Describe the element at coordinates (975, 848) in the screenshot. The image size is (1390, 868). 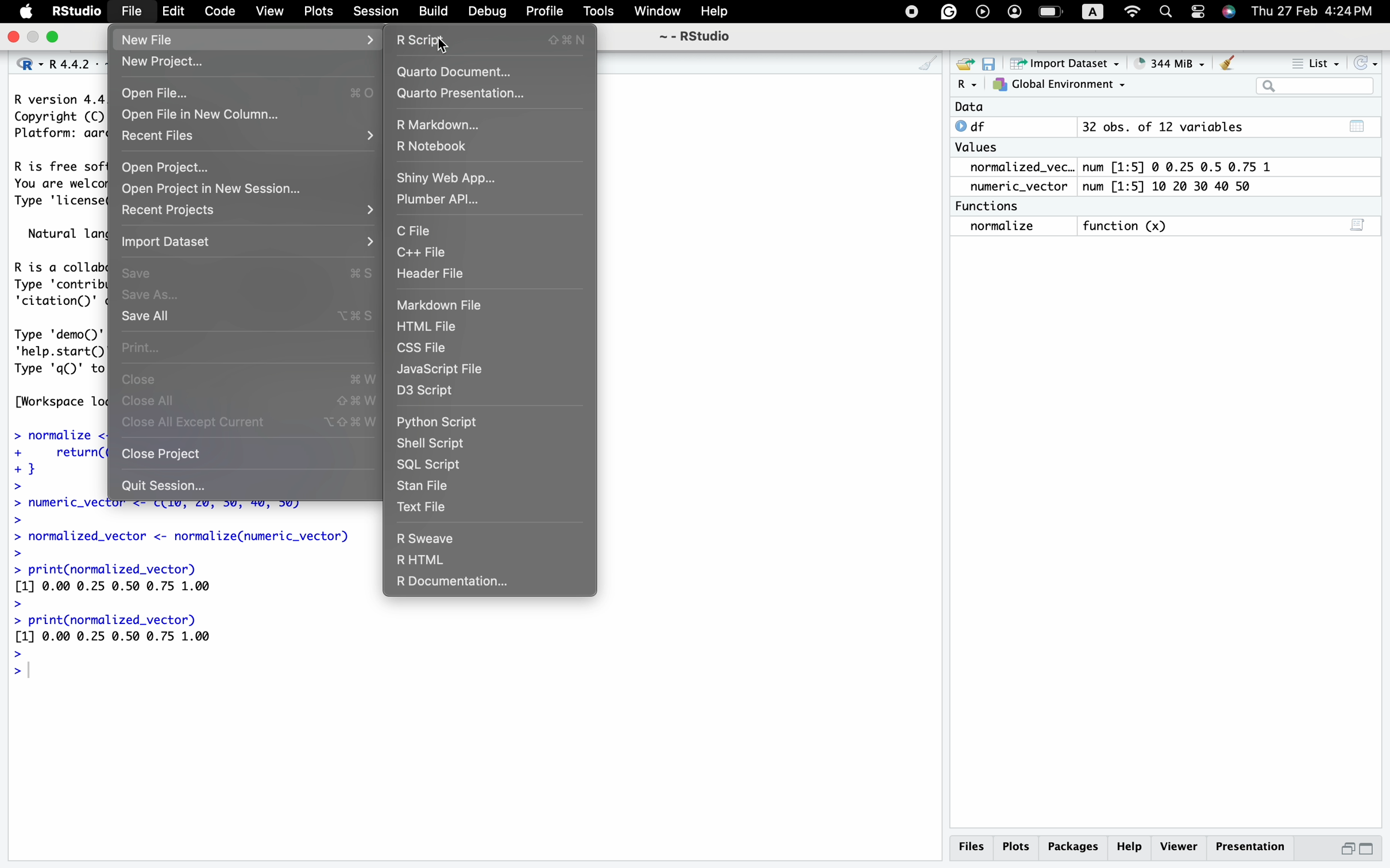
I see `Files` at that location.